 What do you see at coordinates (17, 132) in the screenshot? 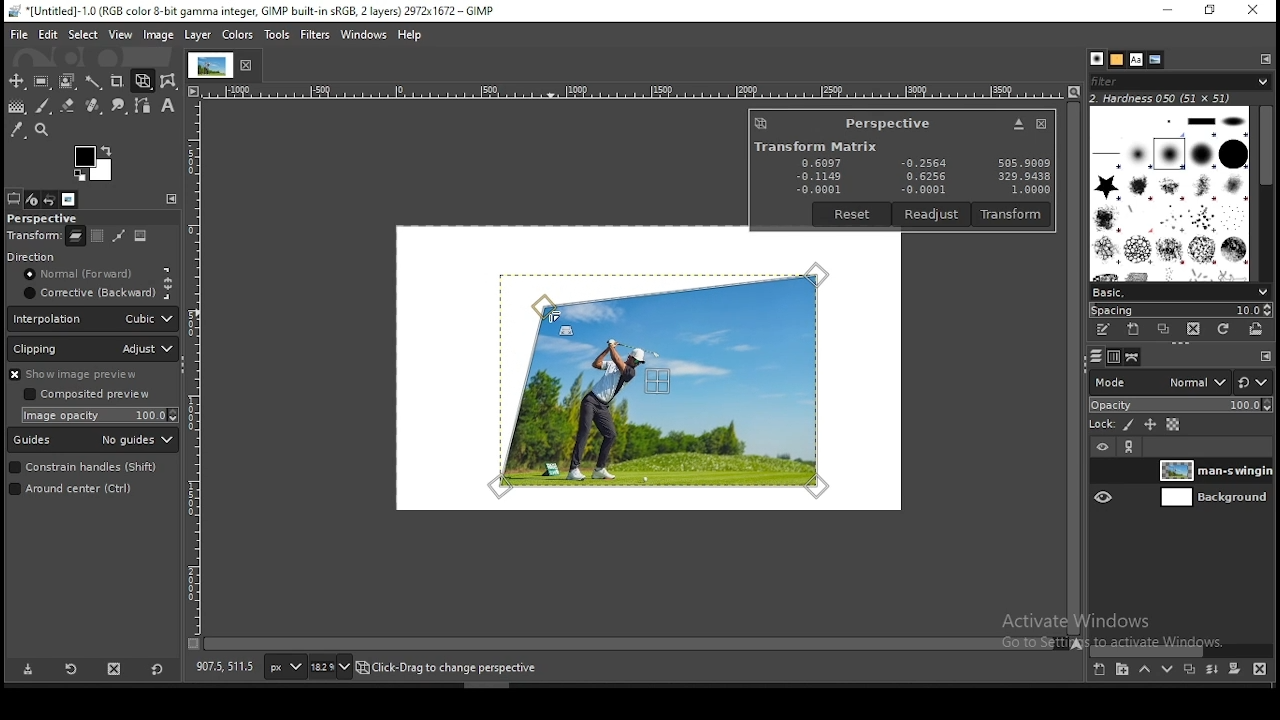
I see `color picker tool` at bounding box center [17, 132].